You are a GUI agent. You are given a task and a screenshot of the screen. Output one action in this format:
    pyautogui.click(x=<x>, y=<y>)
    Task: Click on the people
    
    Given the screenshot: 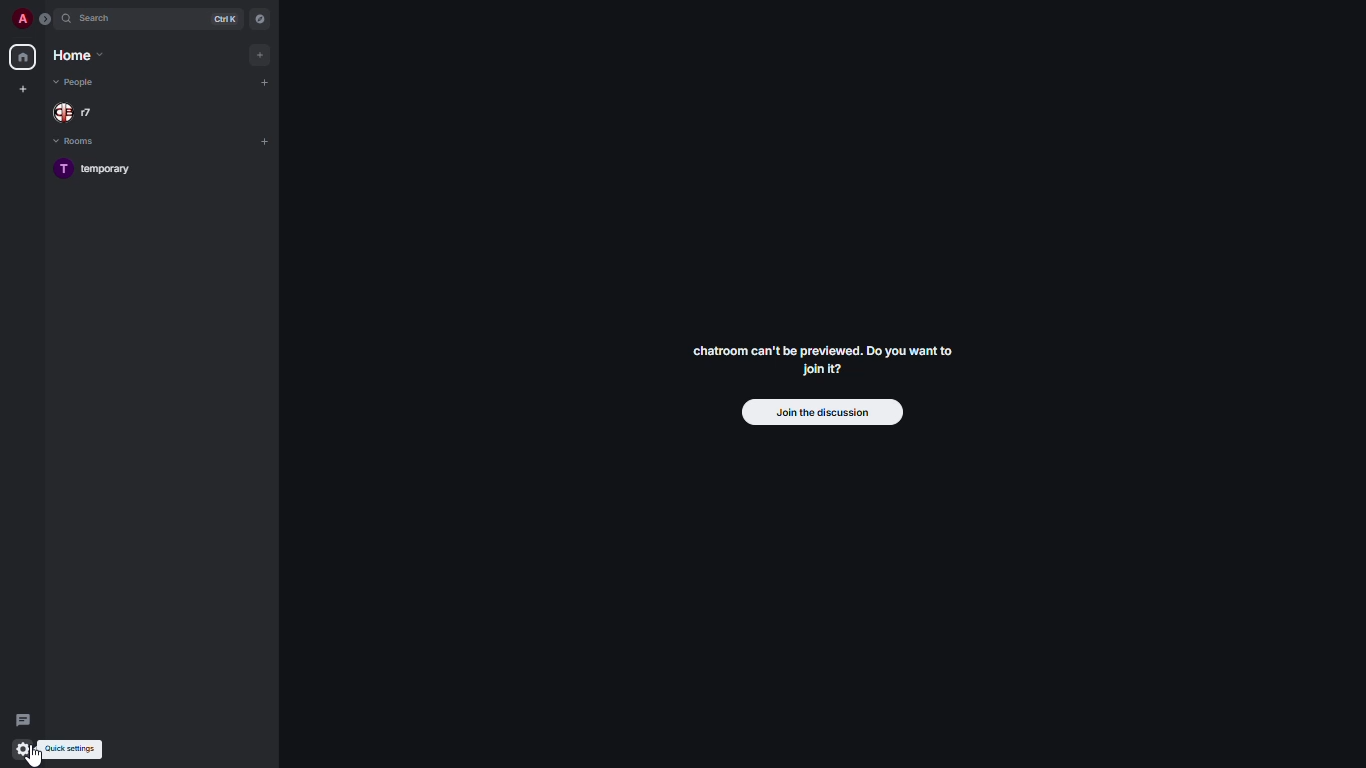 What is the action you would take?
    pyautogui.click(x=78, y=112)
    